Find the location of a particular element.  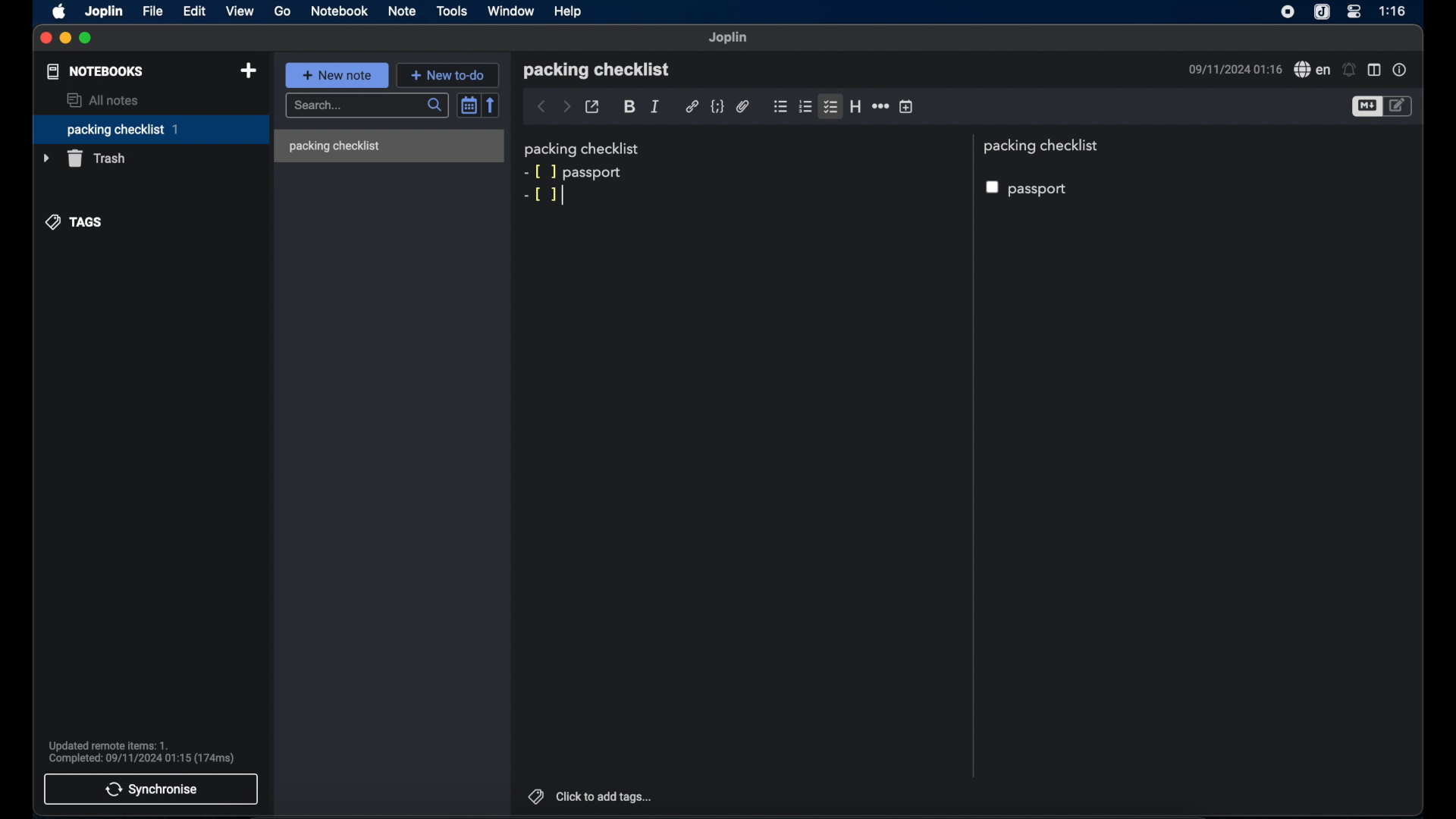

09/11/2024 01:16 is located at coordinates (1232, 70).